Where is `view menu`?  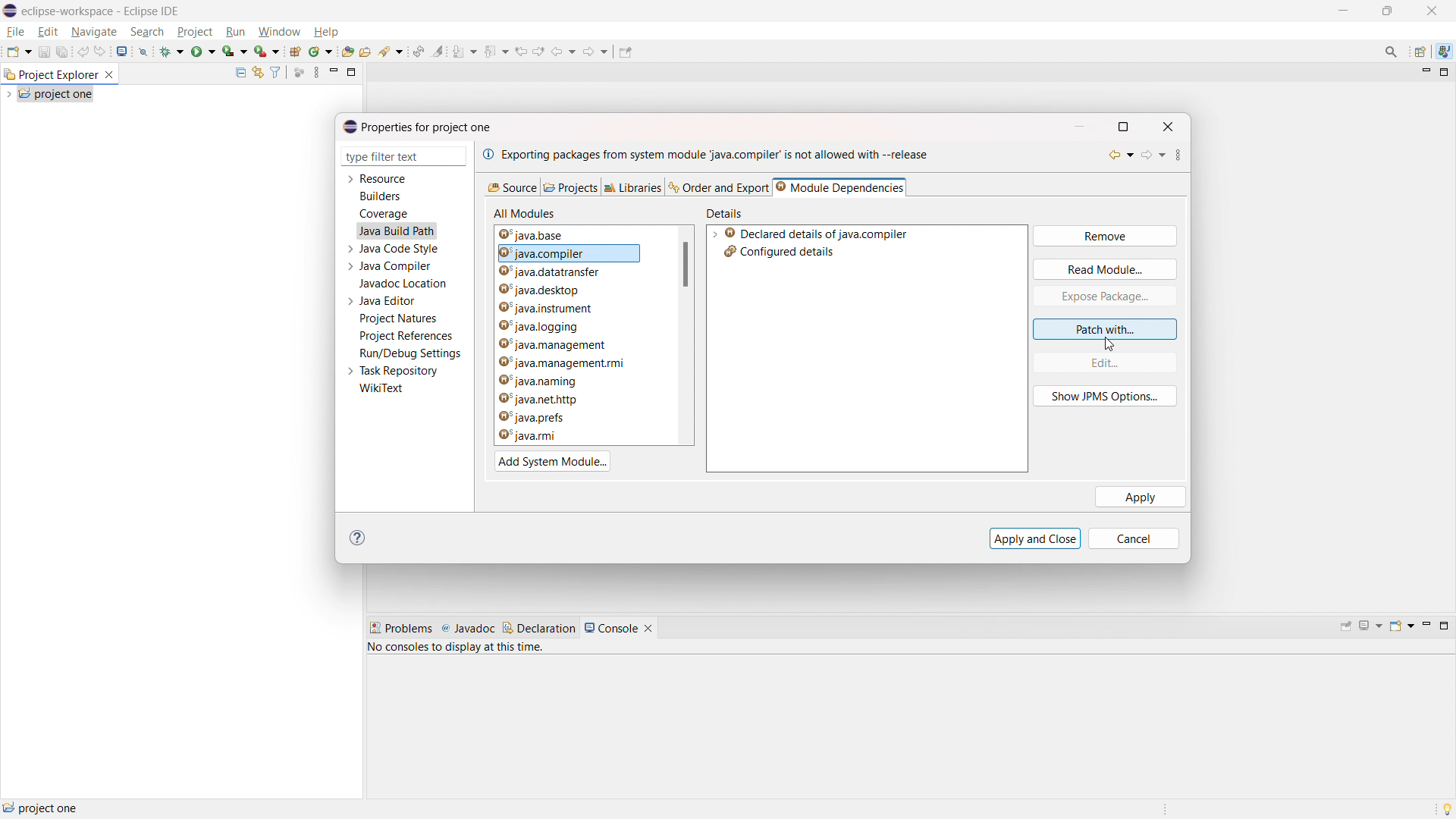 view menu is located at coordinates (316, 72).